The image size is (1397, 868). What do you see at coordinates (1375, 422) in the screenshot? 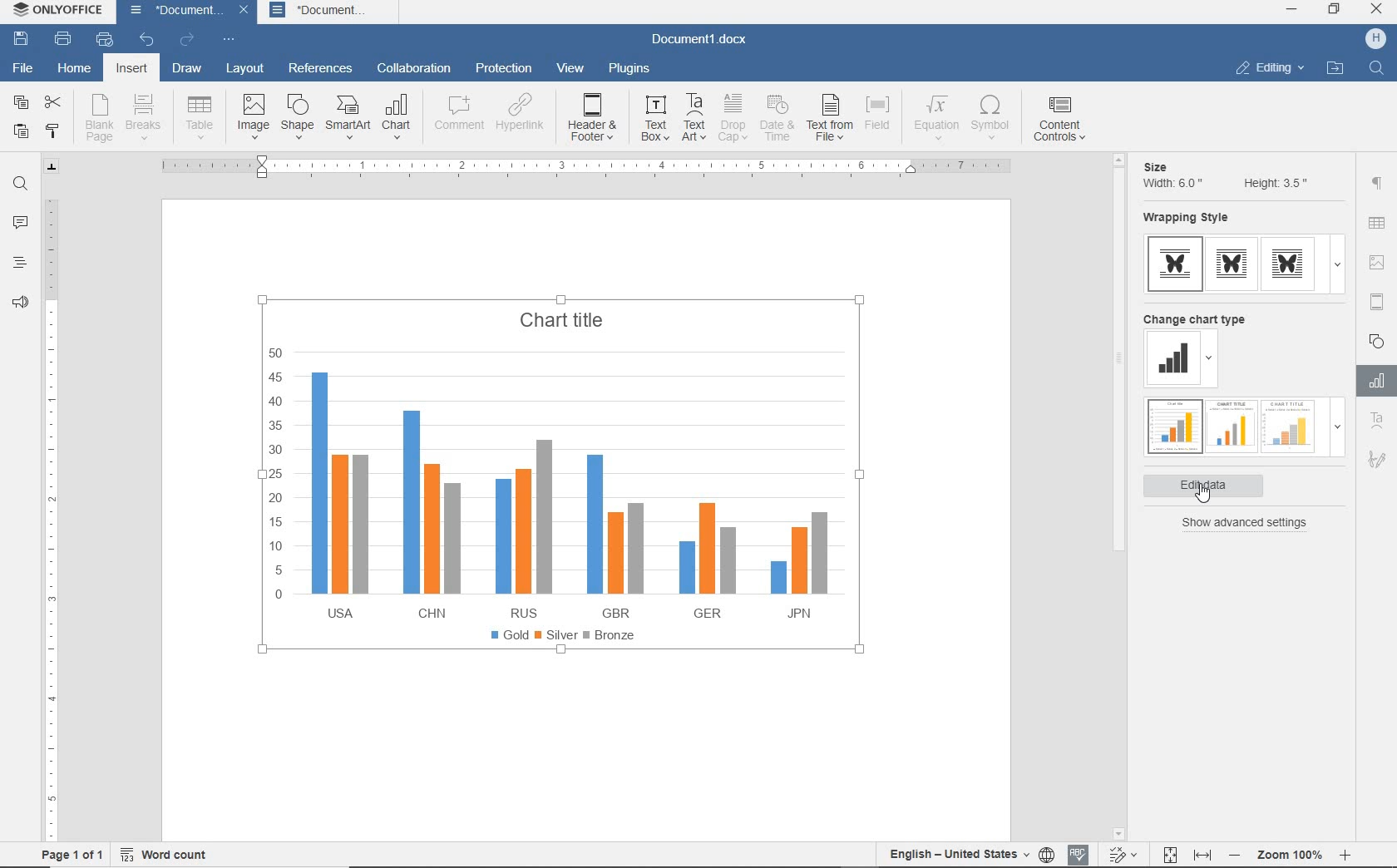
I see `Text Art Settings` at bounding box center [1375, 422].